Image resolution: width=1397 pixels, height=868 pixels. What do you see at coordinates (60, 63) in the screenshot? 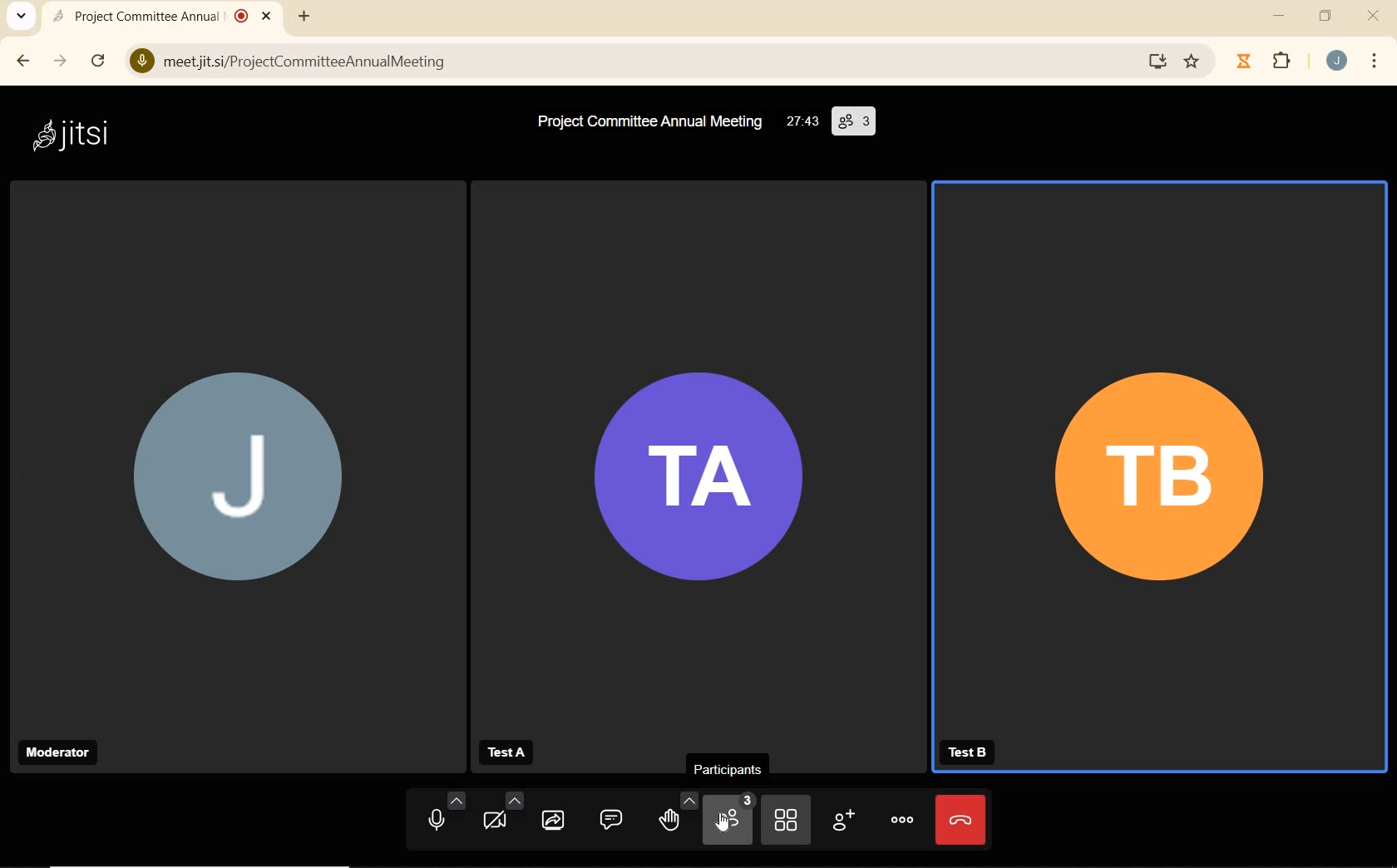
I see `FORWARD` at bounding box center [60, 63].